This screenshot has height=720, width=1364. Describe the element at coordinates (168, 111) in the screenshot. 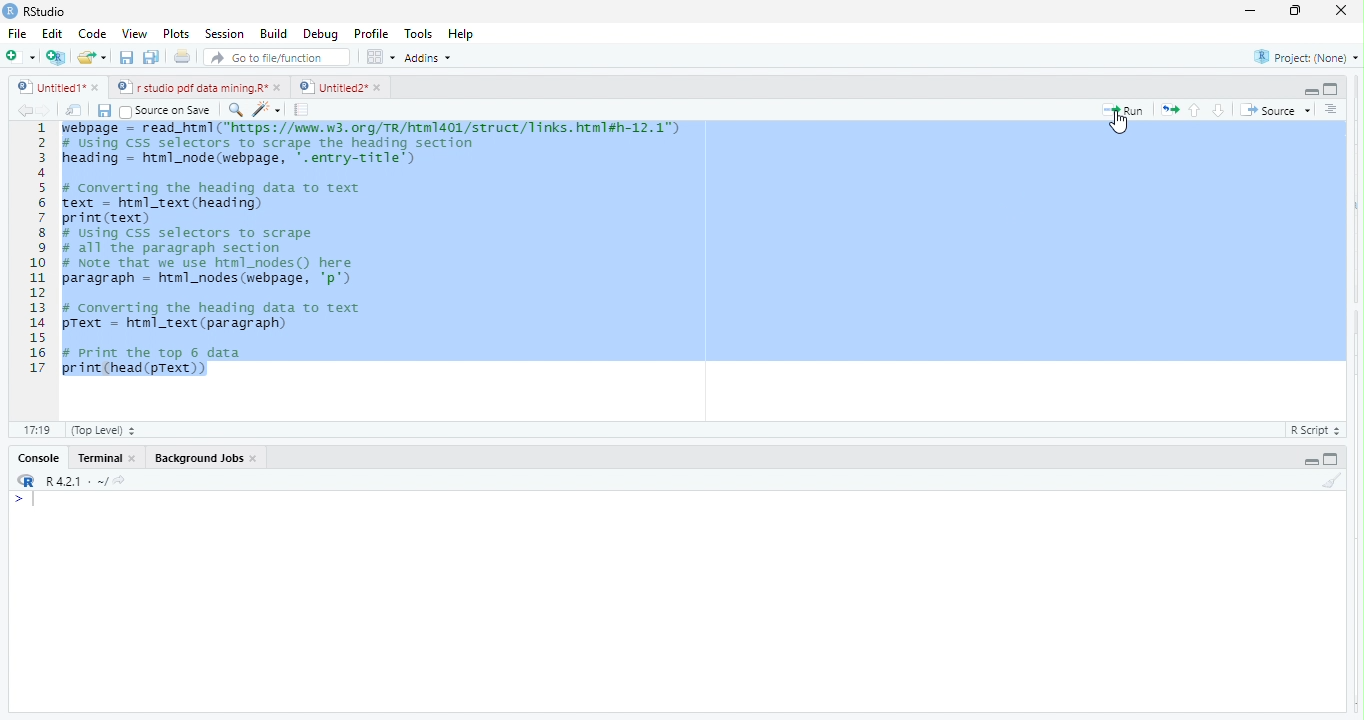

I see `Source on Save` at that location.